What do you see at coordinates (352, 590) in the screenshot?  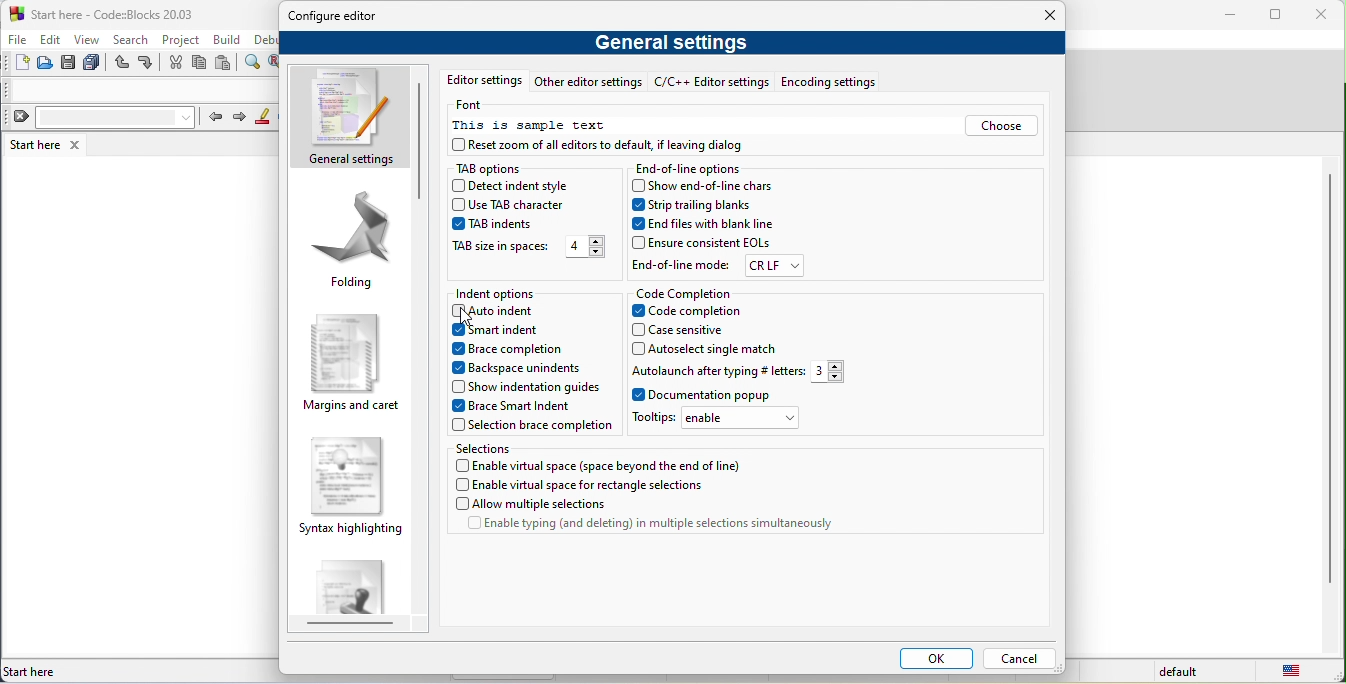 I see `default code` at bounding box center [352, 590].